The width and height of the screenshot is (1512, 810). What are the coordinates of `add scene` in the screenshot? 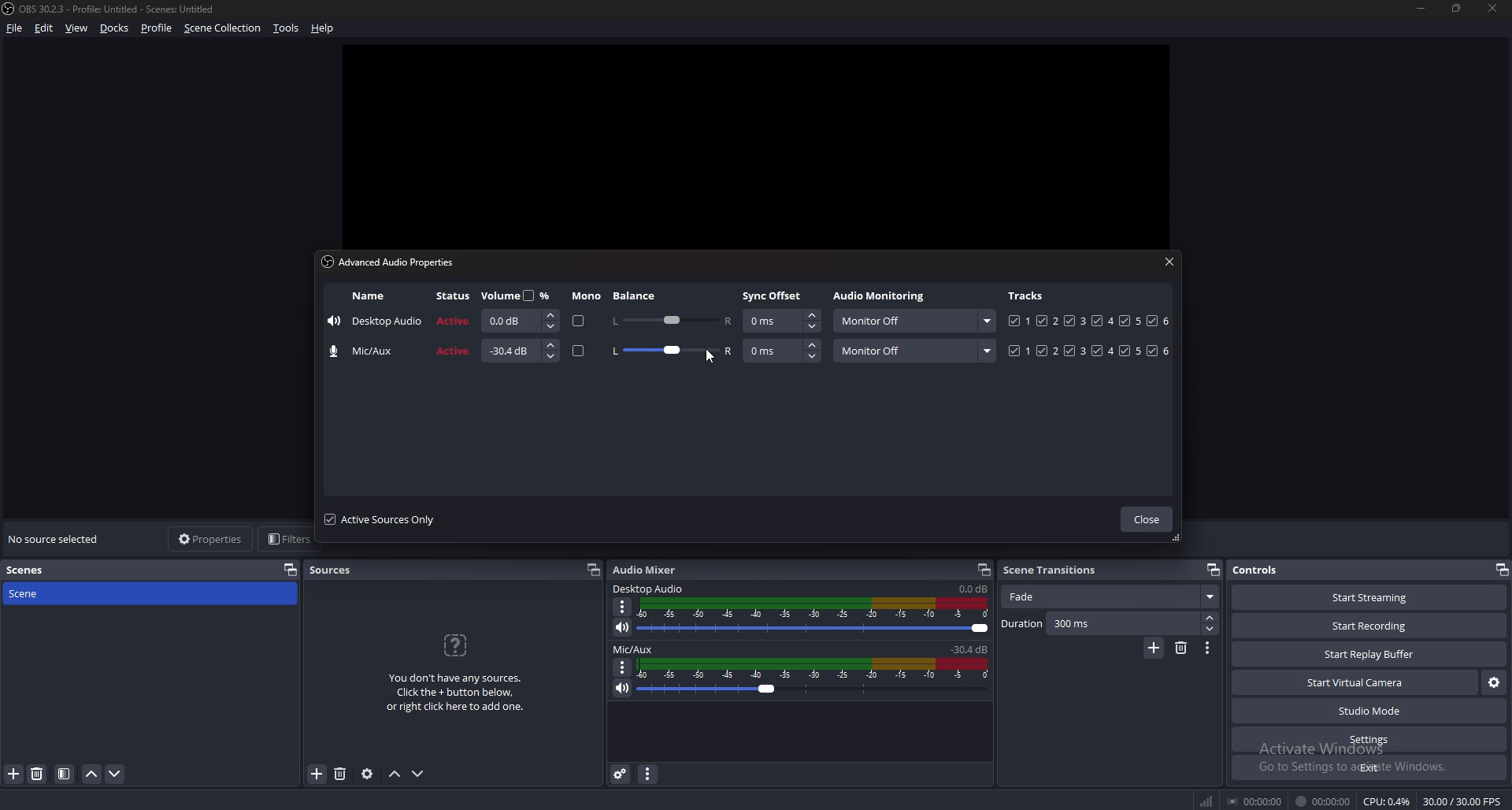 It's located at (1154, 648).